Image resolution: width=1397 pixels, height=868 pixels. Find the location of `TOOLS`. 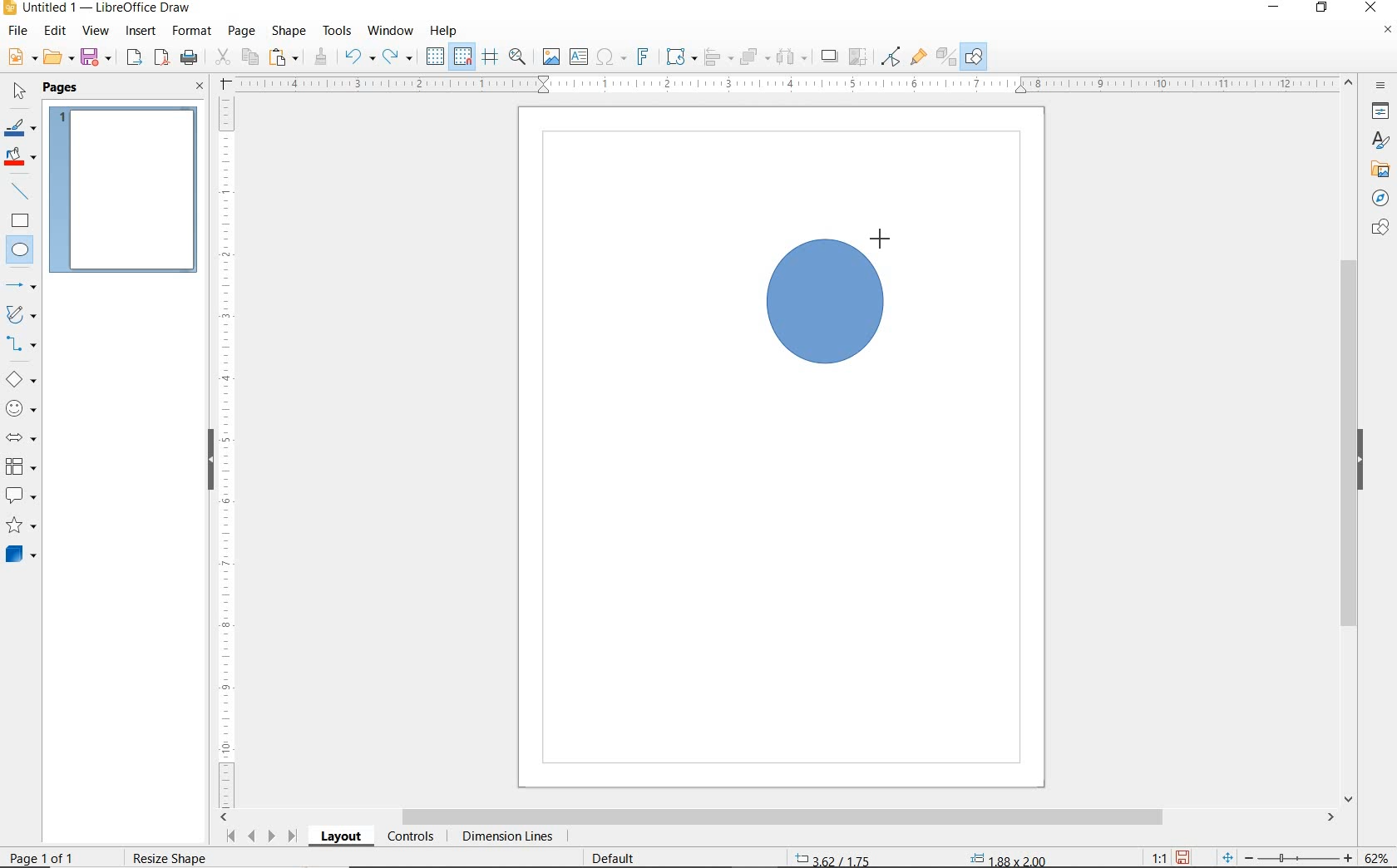

TOOLS is located at coordinates (337, 30).